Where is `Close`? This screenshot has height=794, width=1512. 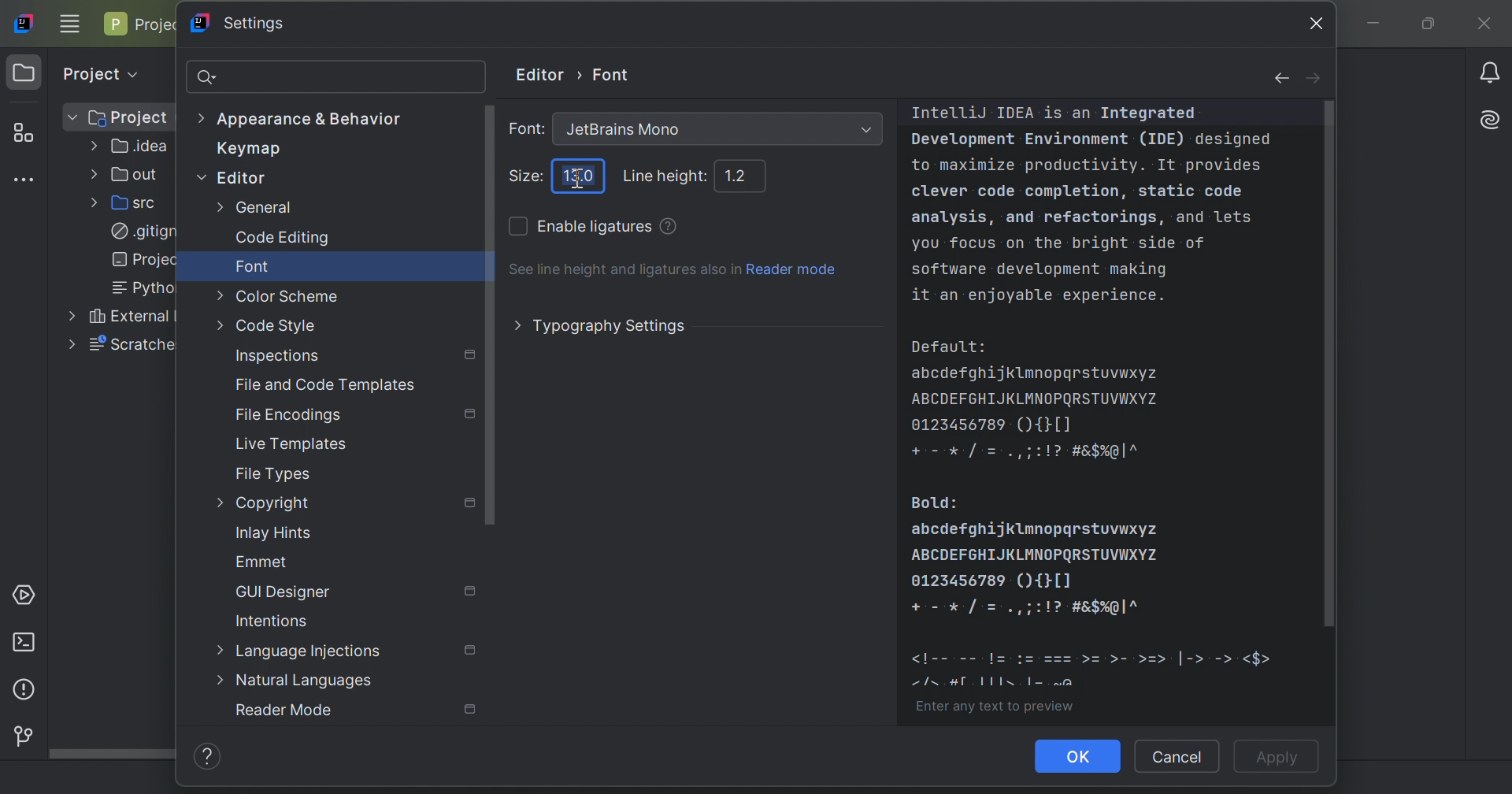
Close is located at coordinates (1488, 25).